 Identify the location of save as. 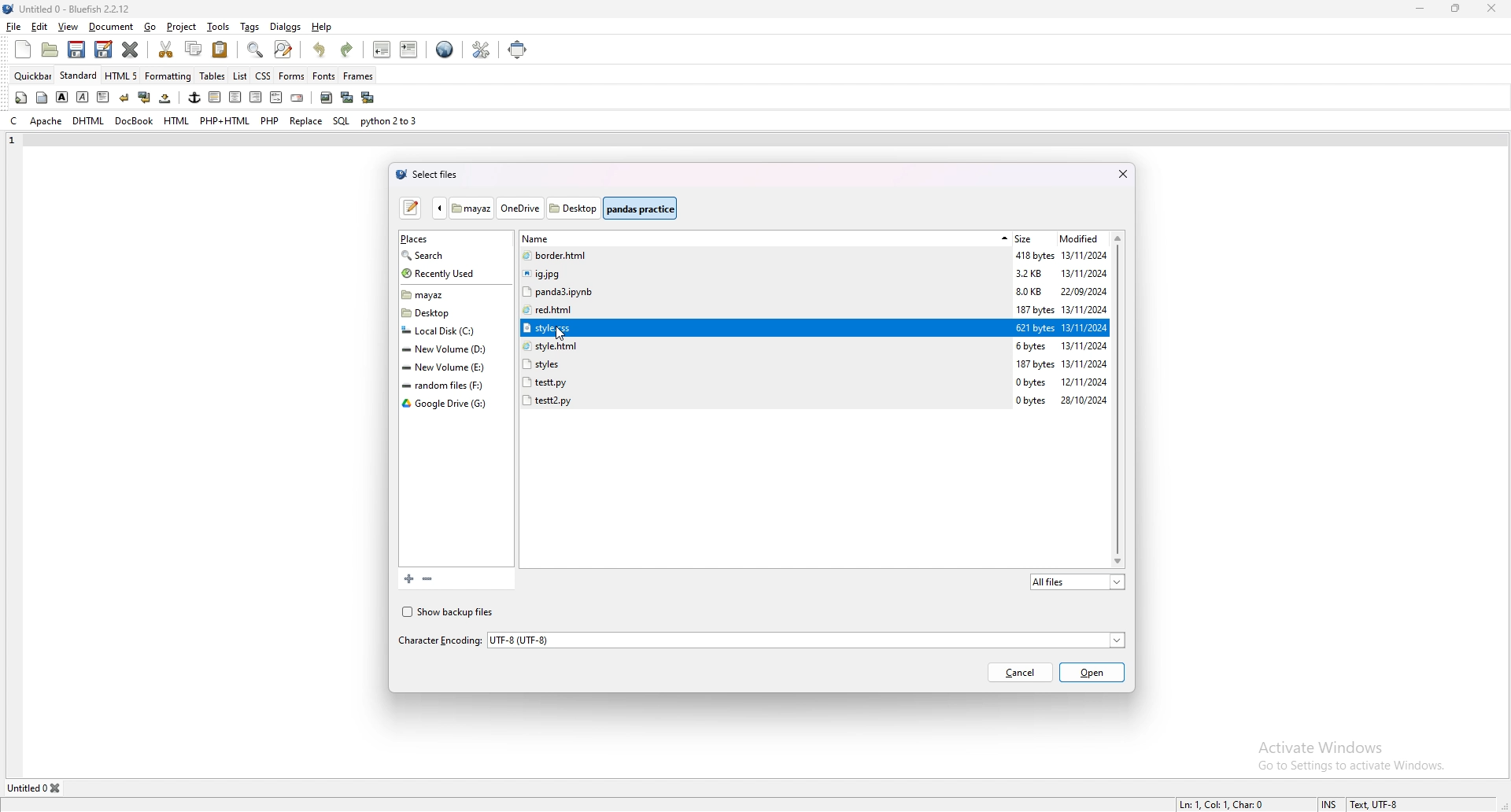
(105, 49).